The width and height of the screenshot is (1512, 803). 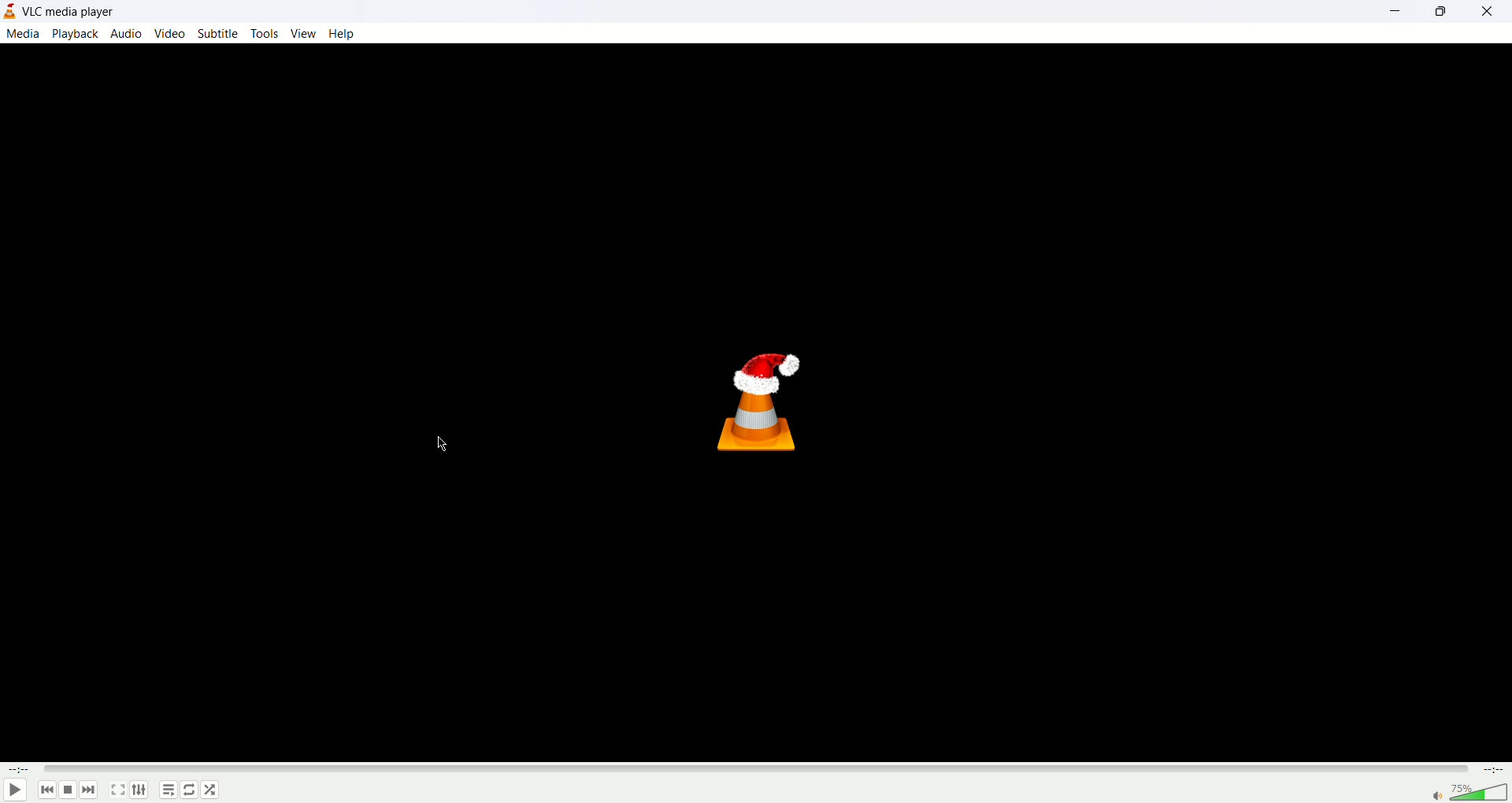 I want to click on elapsed time, so click(x=18, y=770).